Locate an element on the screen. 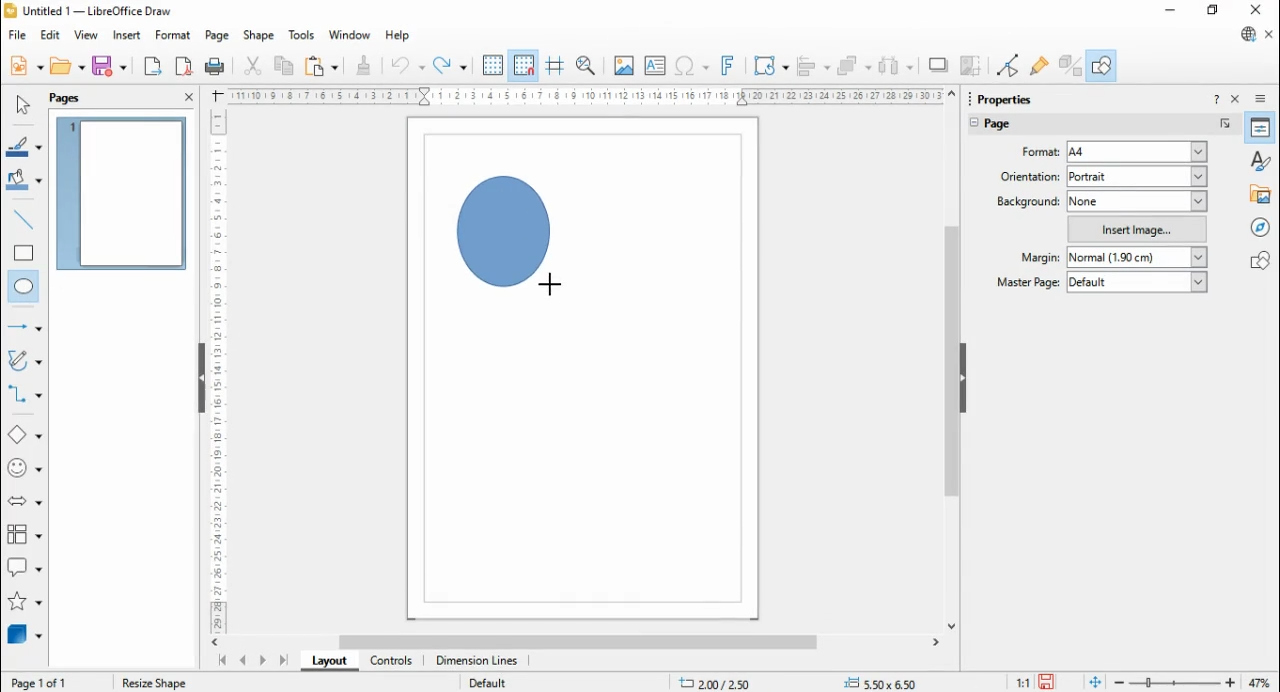 The image size is (1280, 692). 3D Objects is located at coordinates (23, 635).